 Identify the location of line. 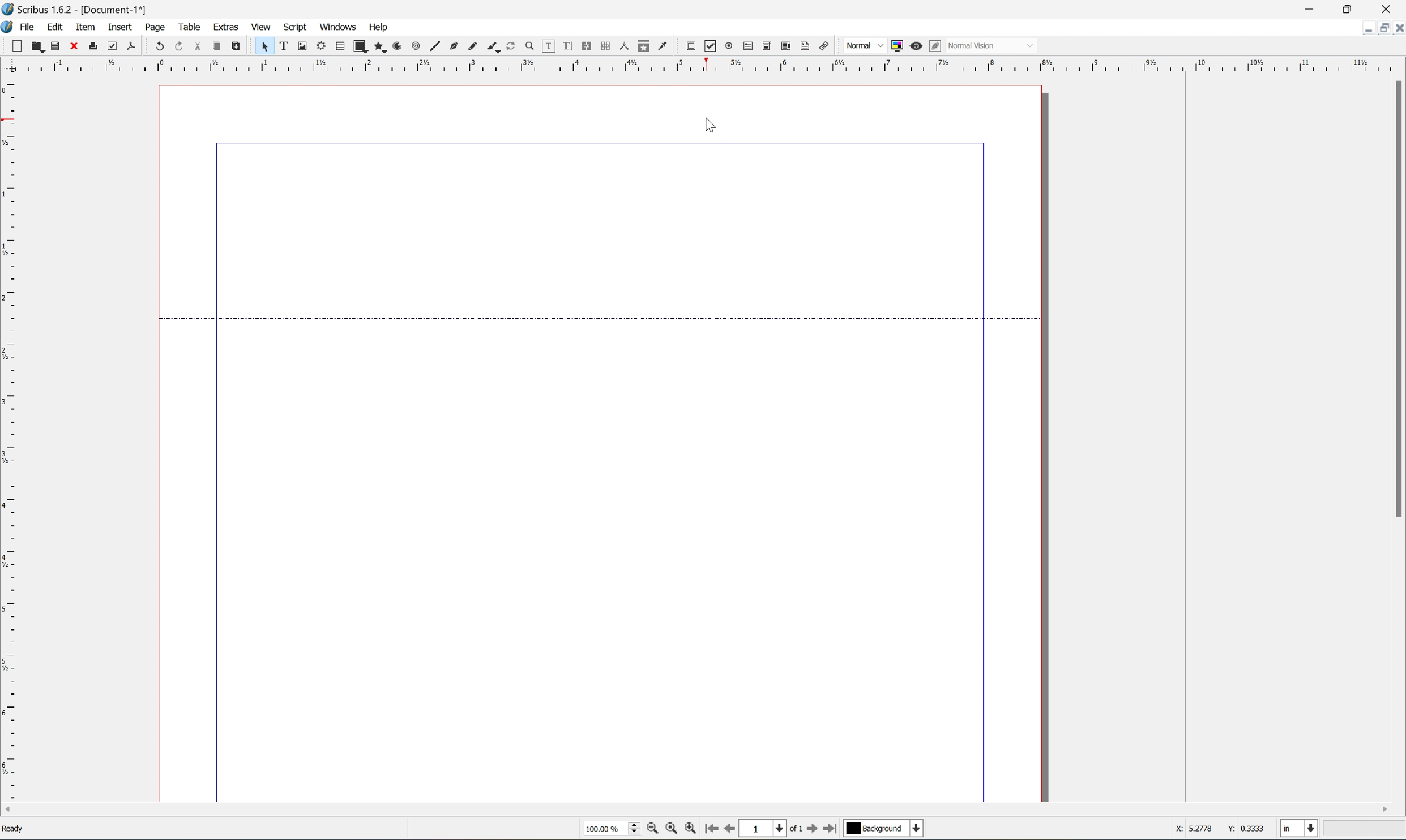
(436, 46).